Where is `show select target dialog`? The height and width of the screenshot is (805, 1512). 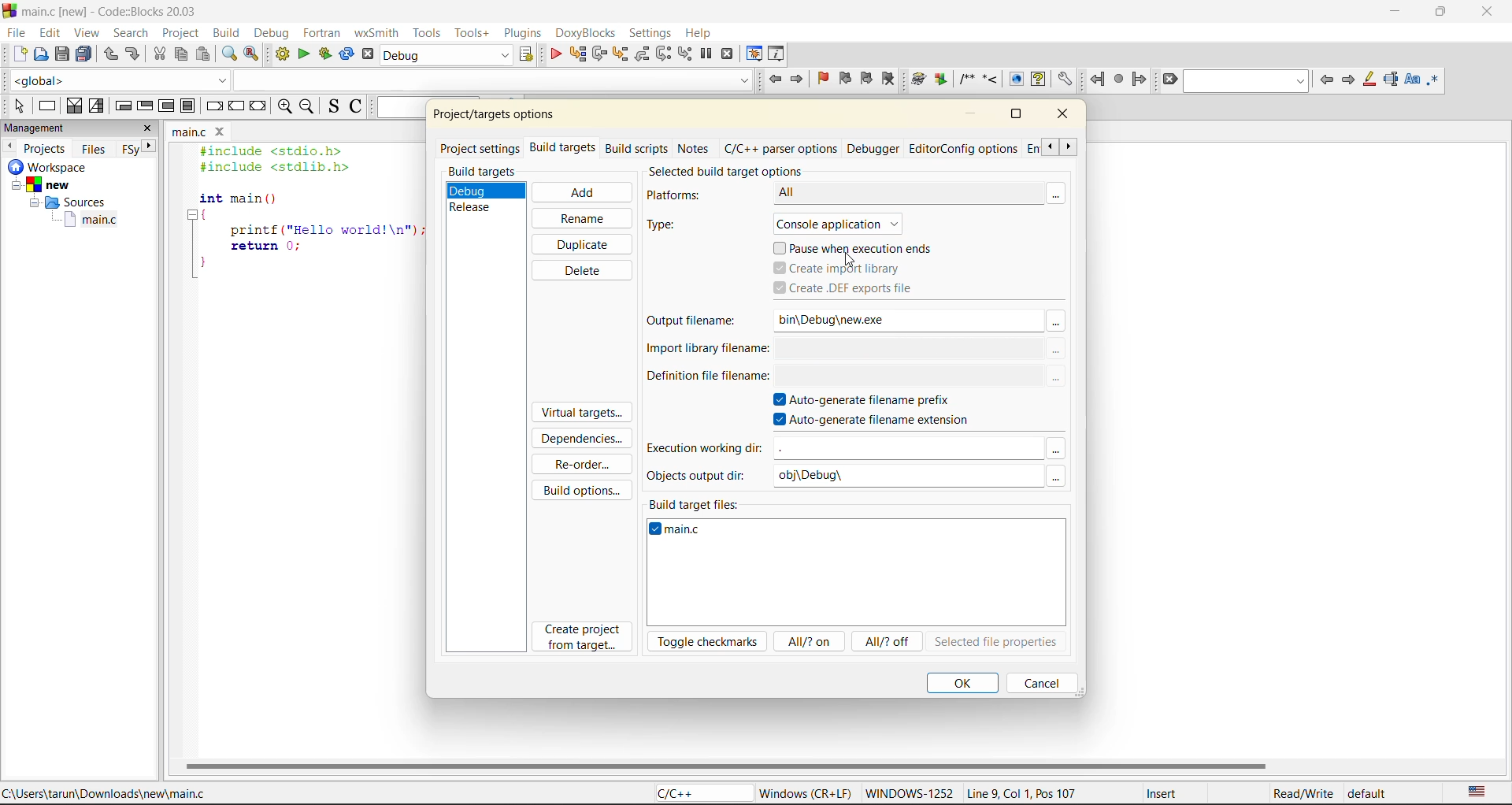
show select target dialog is located at coordinates (528, 55).